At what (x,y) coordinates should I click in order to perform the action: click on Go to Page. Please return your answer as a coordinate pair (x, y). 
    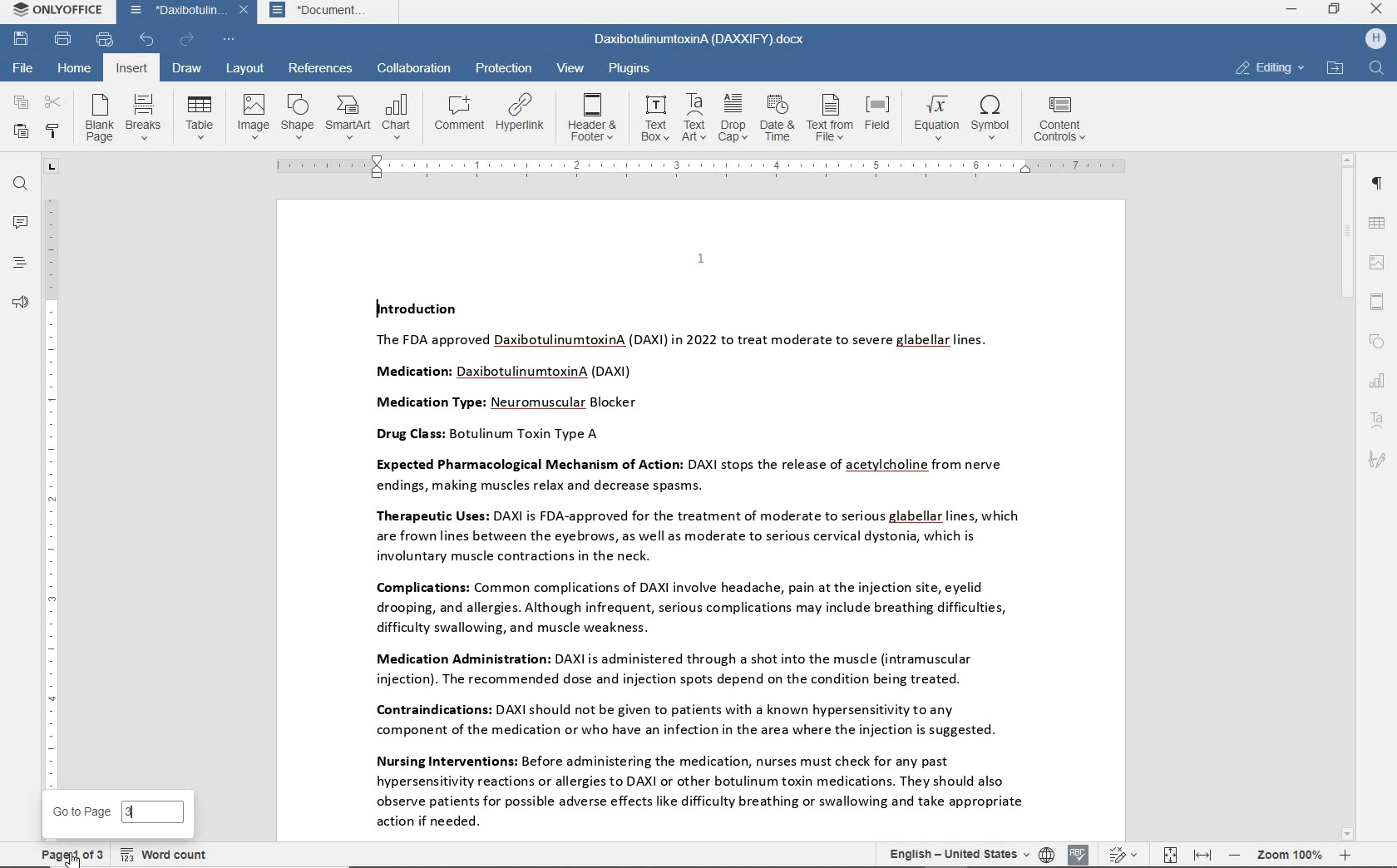
    Looking at the image, I should click on (80, 812).